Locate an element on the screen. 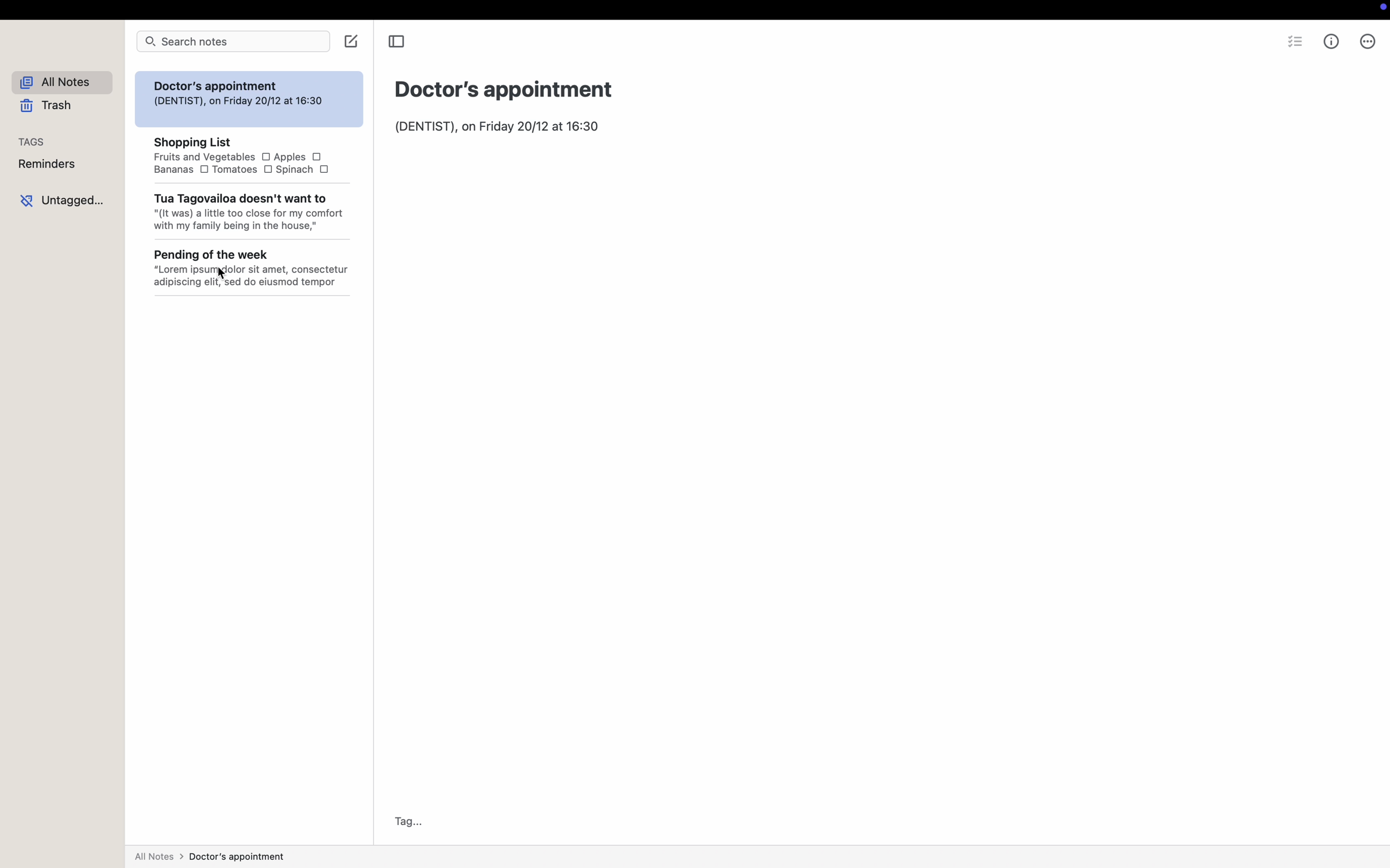 This screenshot has width=1390, height=868. check list is located at coordinates (1297, 42).